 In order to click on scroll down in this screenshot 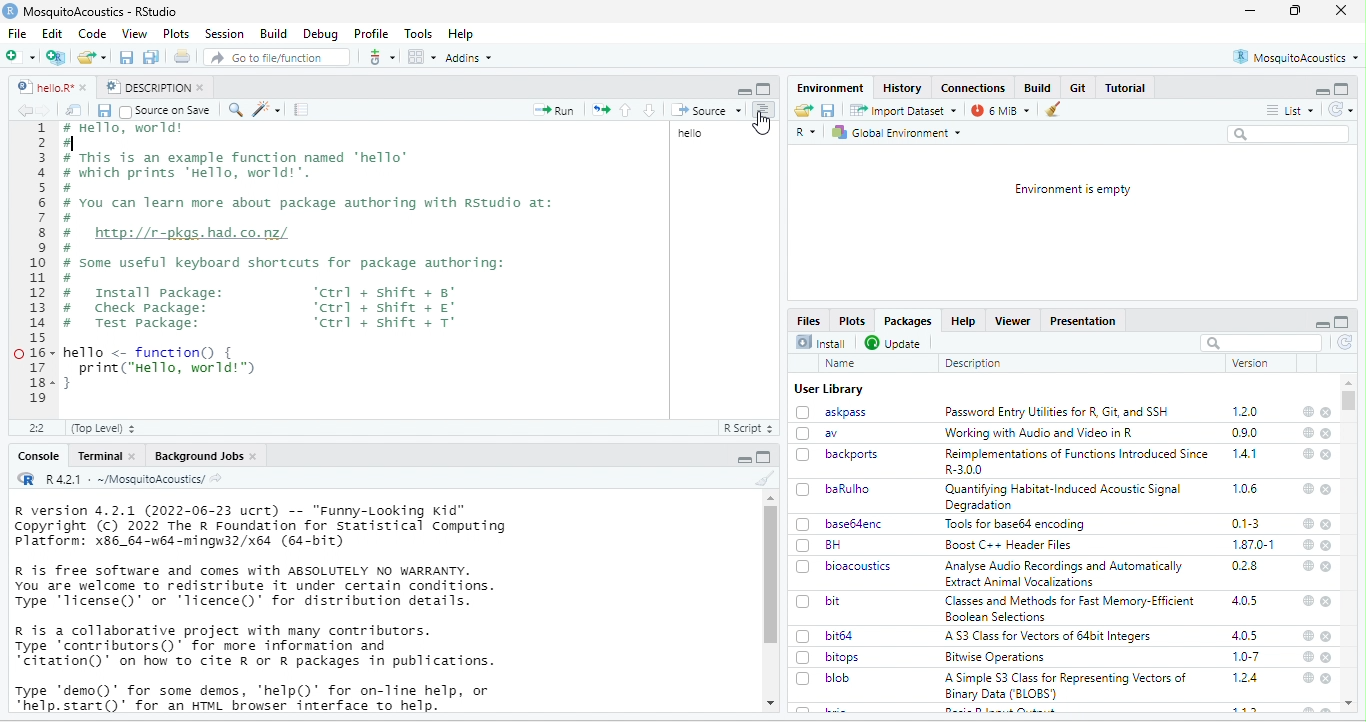, I will do `click(768, 704)`.